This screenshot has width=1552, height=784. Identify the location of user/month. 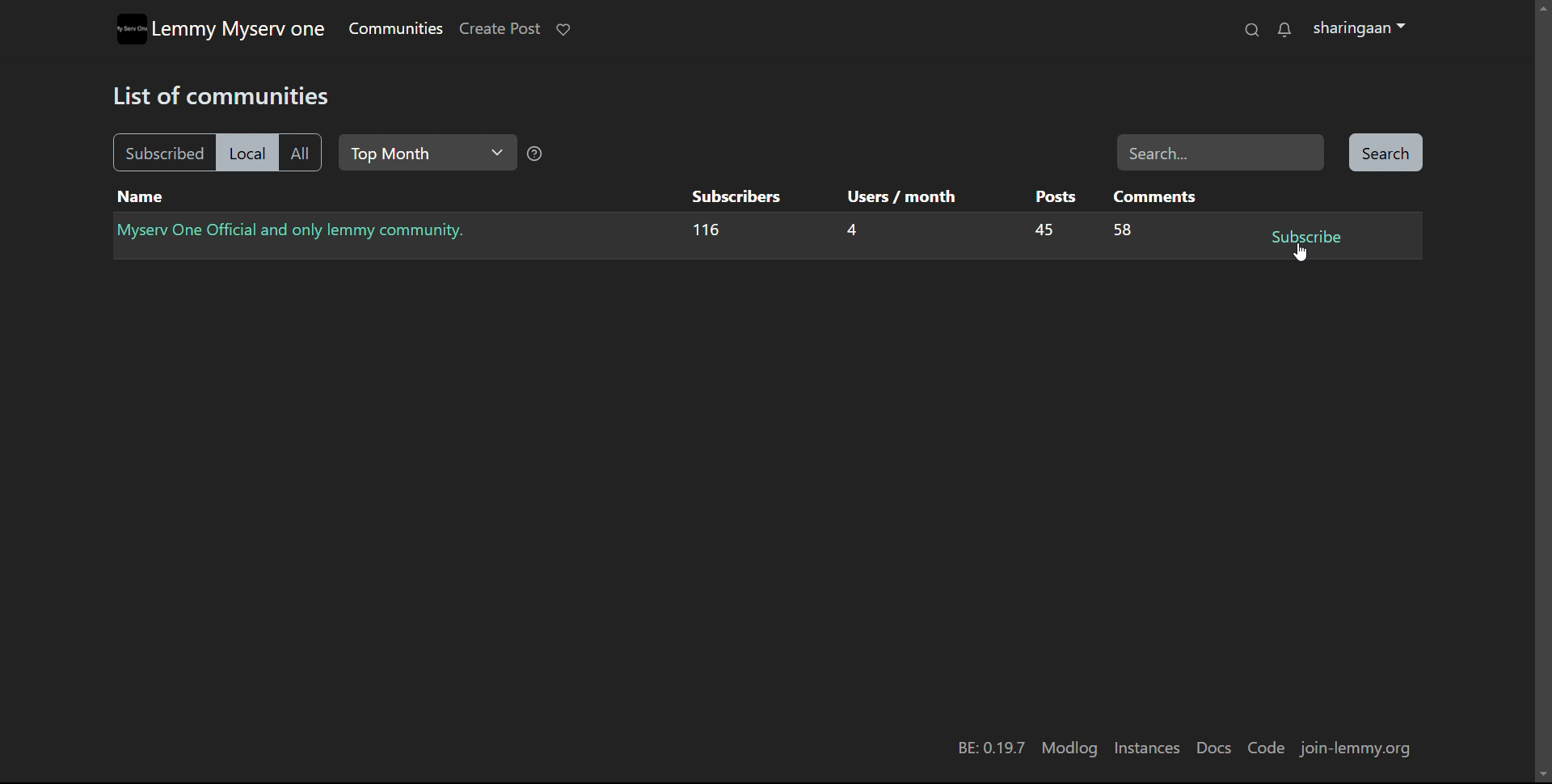
(899, 196).